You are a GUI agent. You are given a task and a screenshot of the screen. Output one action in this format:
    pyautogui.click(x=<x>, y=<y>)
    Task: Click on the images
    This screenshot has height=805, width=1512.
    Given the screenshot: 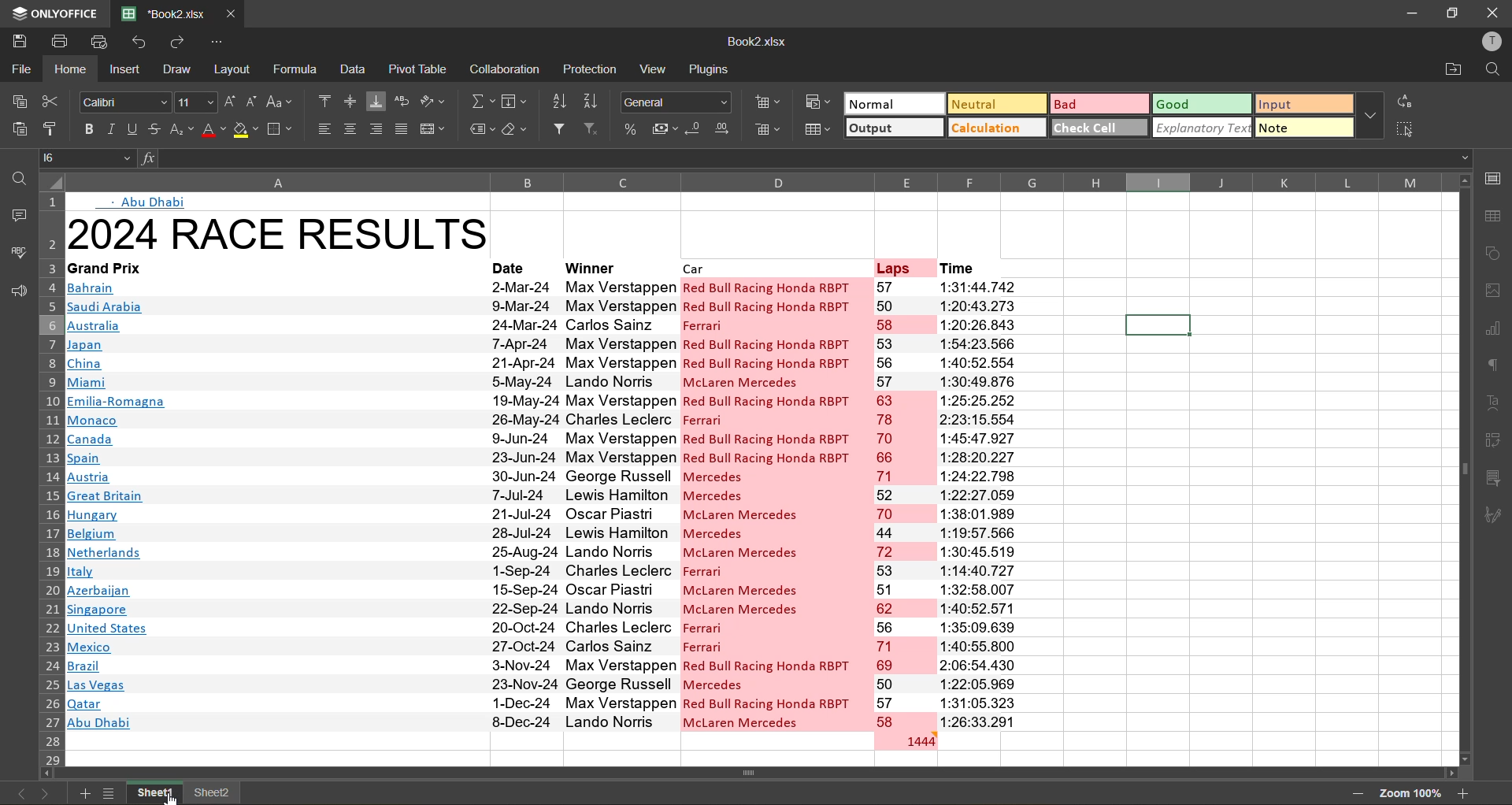 What is the action you would take?
    pyautogui.click(x=1492, y=291)
    